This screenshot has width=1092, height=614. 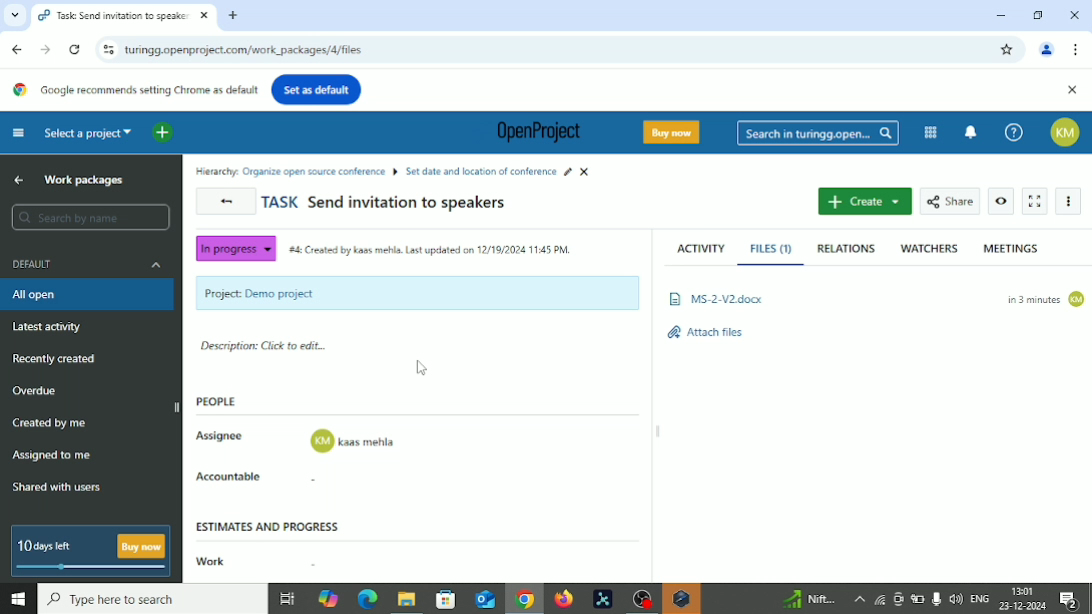 I want to click on Modules, so click(x=930, y=132).